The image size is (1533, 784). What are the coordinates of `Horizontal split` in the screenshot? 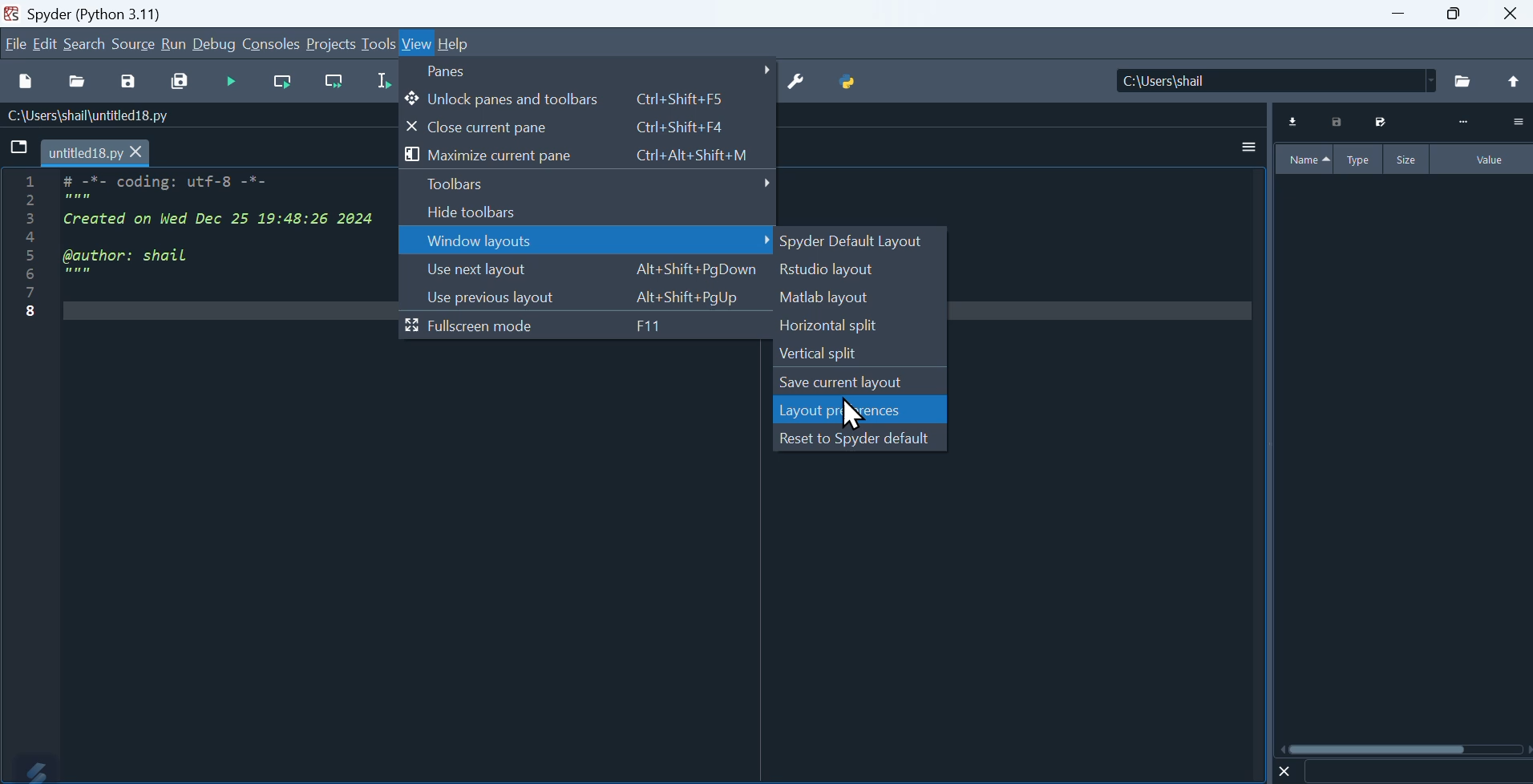 It's located at (860, 326).